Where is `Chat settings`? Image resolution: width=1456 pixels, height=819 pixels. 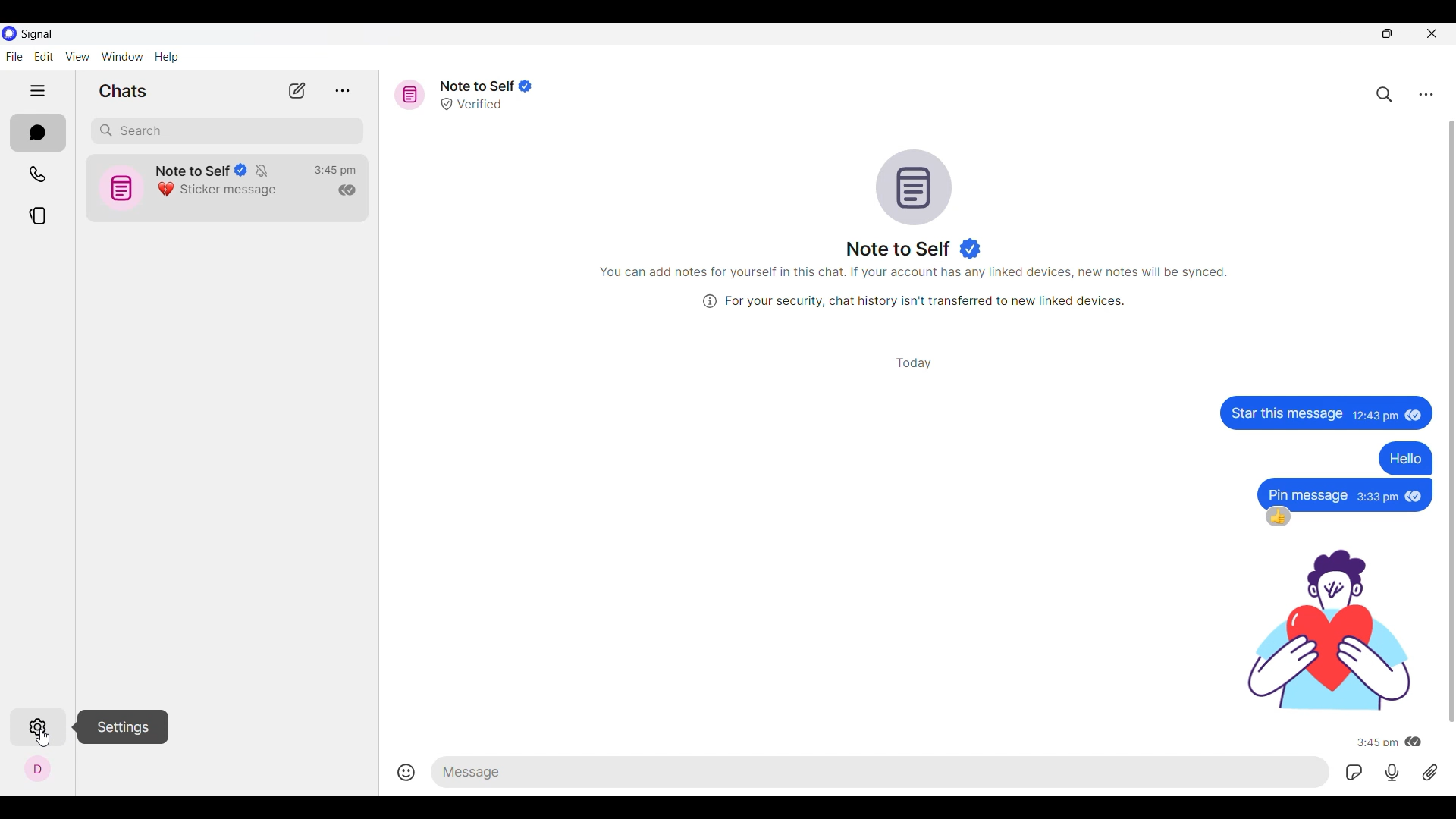
Chat settings is located at coordinates (1426, 95).